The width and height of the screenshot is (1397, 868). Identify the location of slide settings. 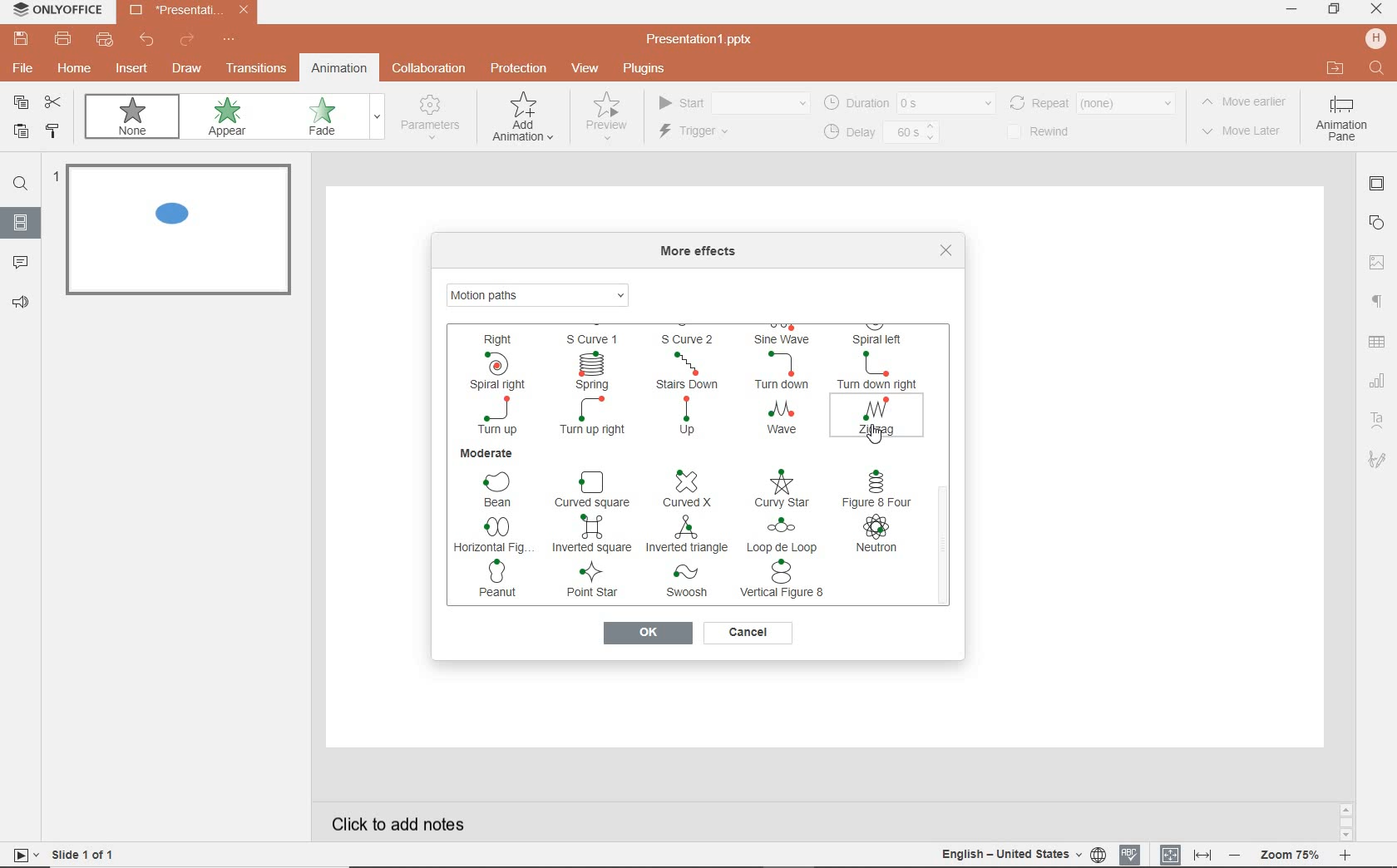
(1379, 186).